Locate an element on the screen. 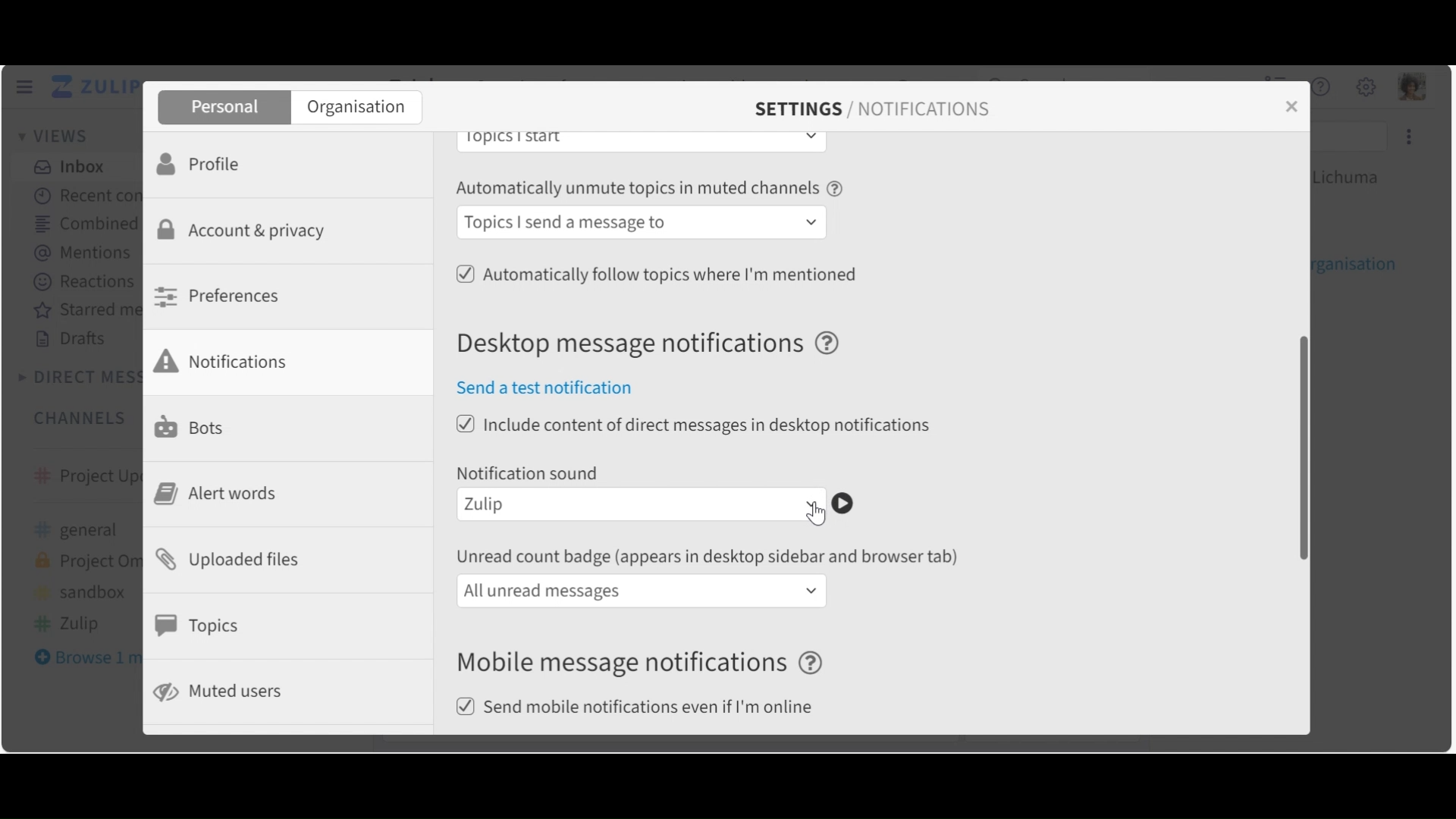  Automatically unmute topics in muted channels  is located at coordinates (651, 190).